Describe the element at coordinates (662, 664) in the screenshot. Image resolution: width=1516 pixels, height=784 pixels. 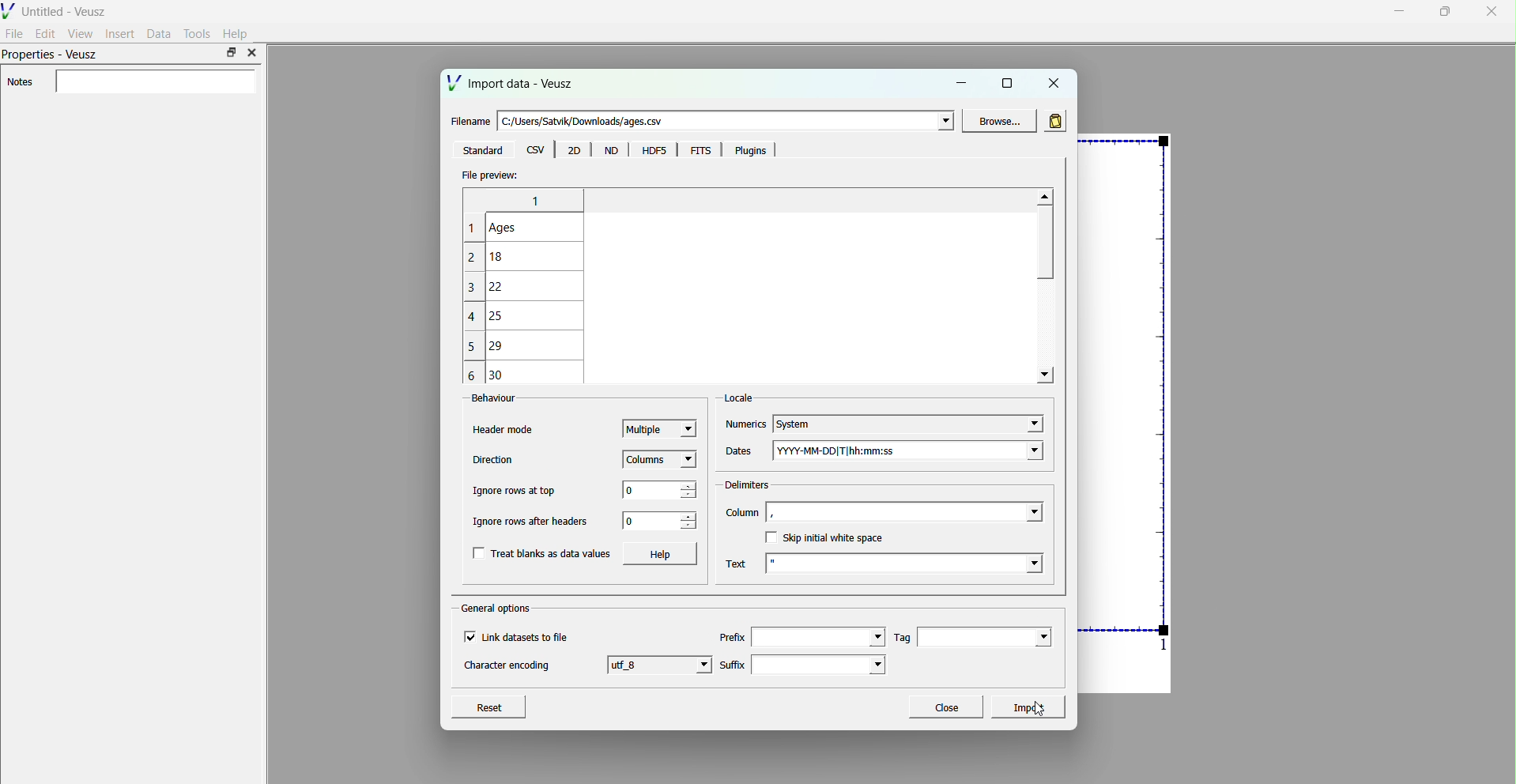
I see `utf 8` at that location.